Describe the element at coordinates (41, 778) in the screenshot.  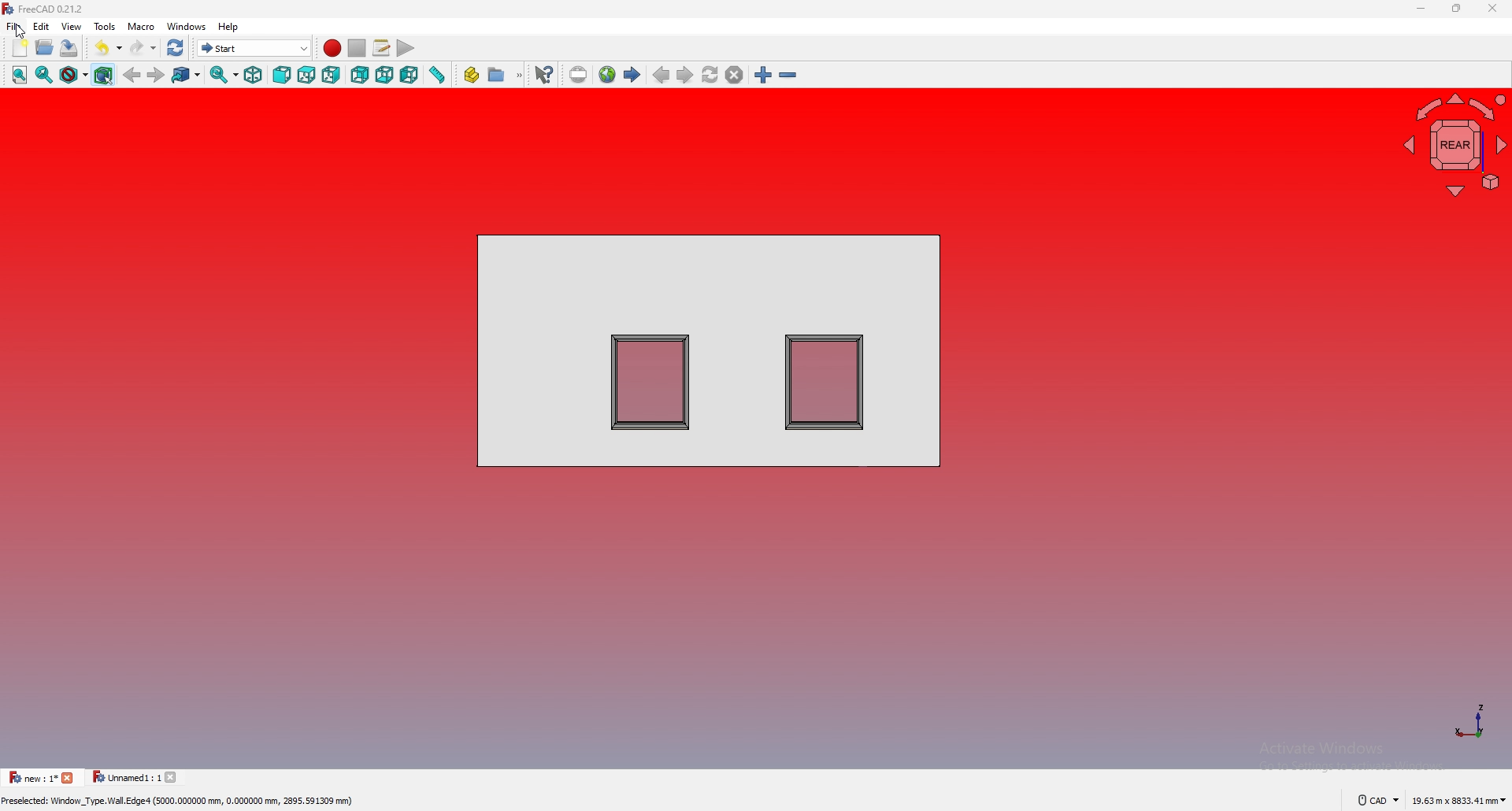
I see `tab 1` at that location.